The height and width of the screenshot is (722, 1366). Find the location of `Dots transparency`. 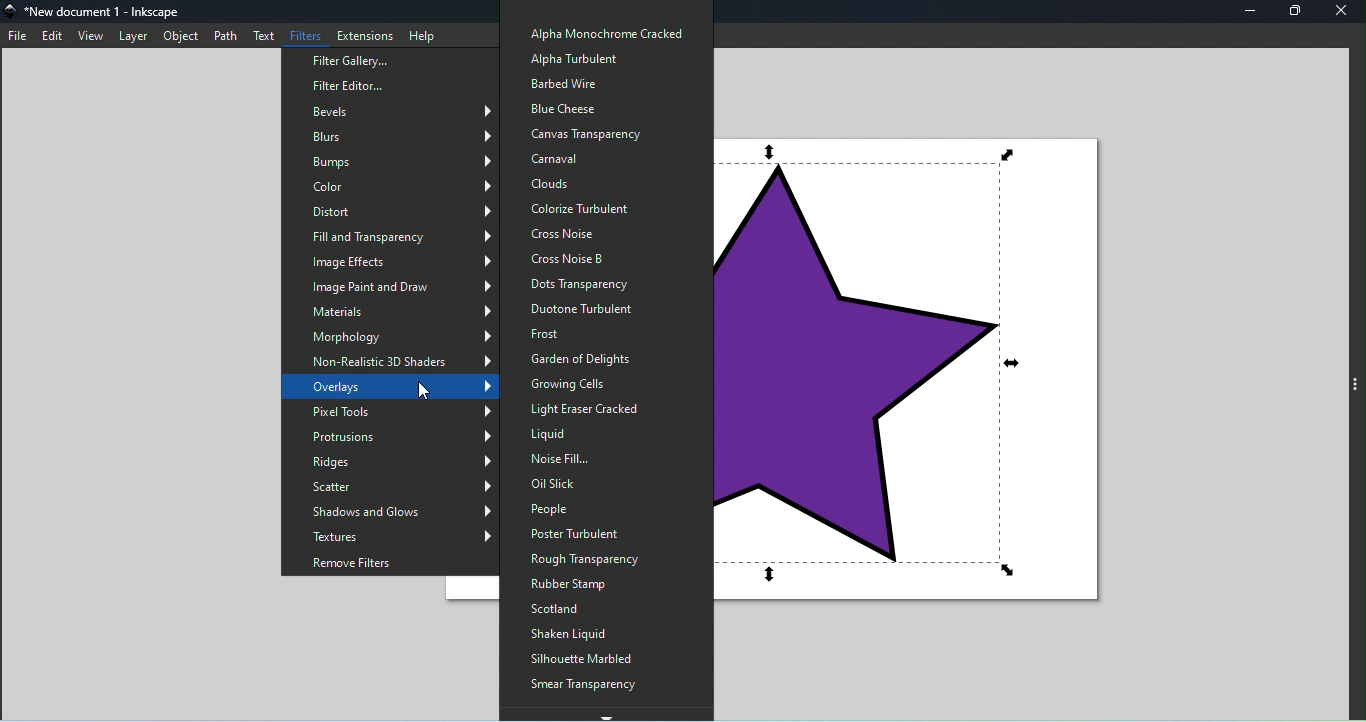

Dots transparency is located at coordinates (596, 284).